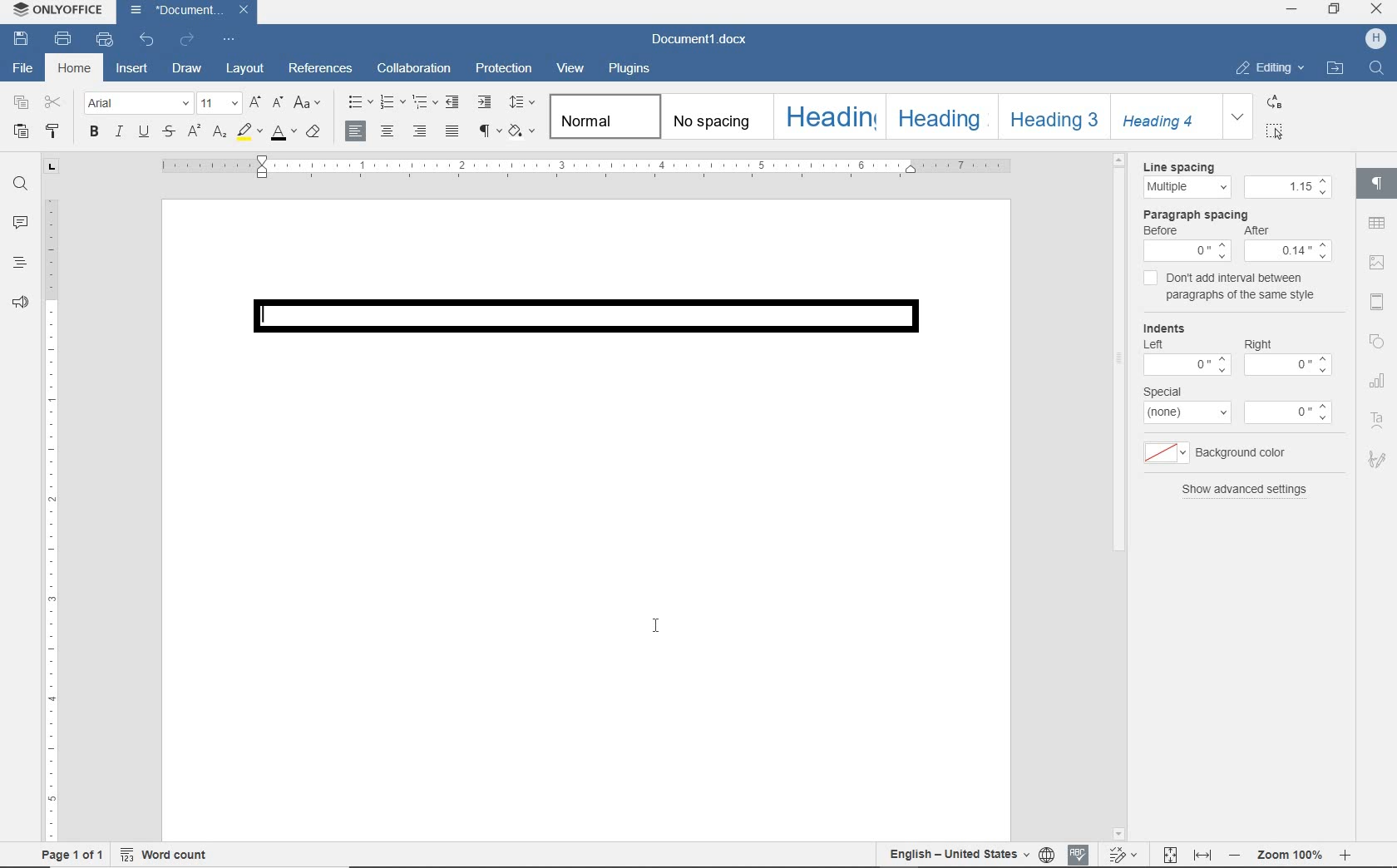  Describe the element at coordinates (189, 69) in the screenshot. I see `draw` at that location.